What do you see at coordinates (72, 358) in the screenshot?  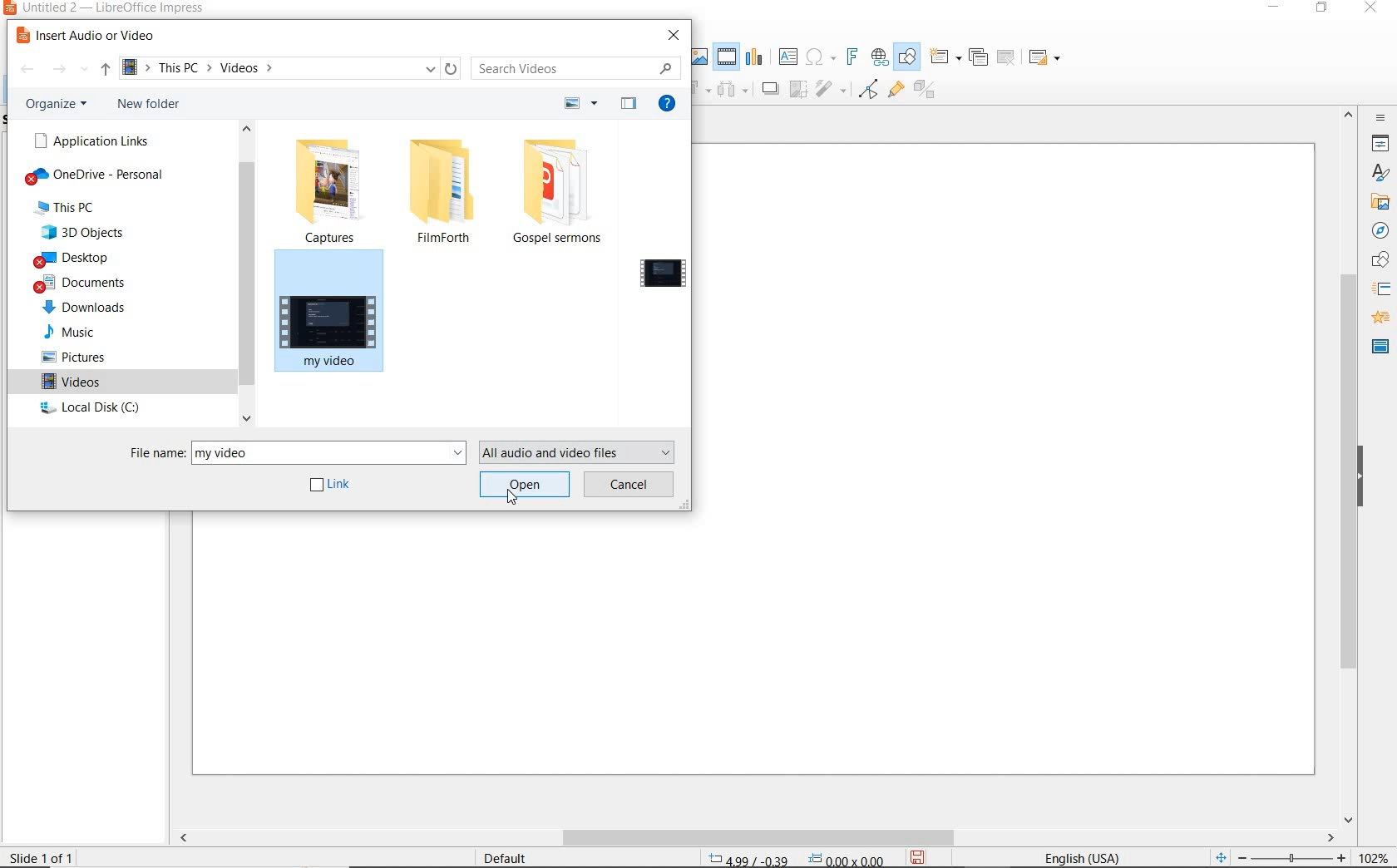 I see `pictures` at bounding box center [72, 358].